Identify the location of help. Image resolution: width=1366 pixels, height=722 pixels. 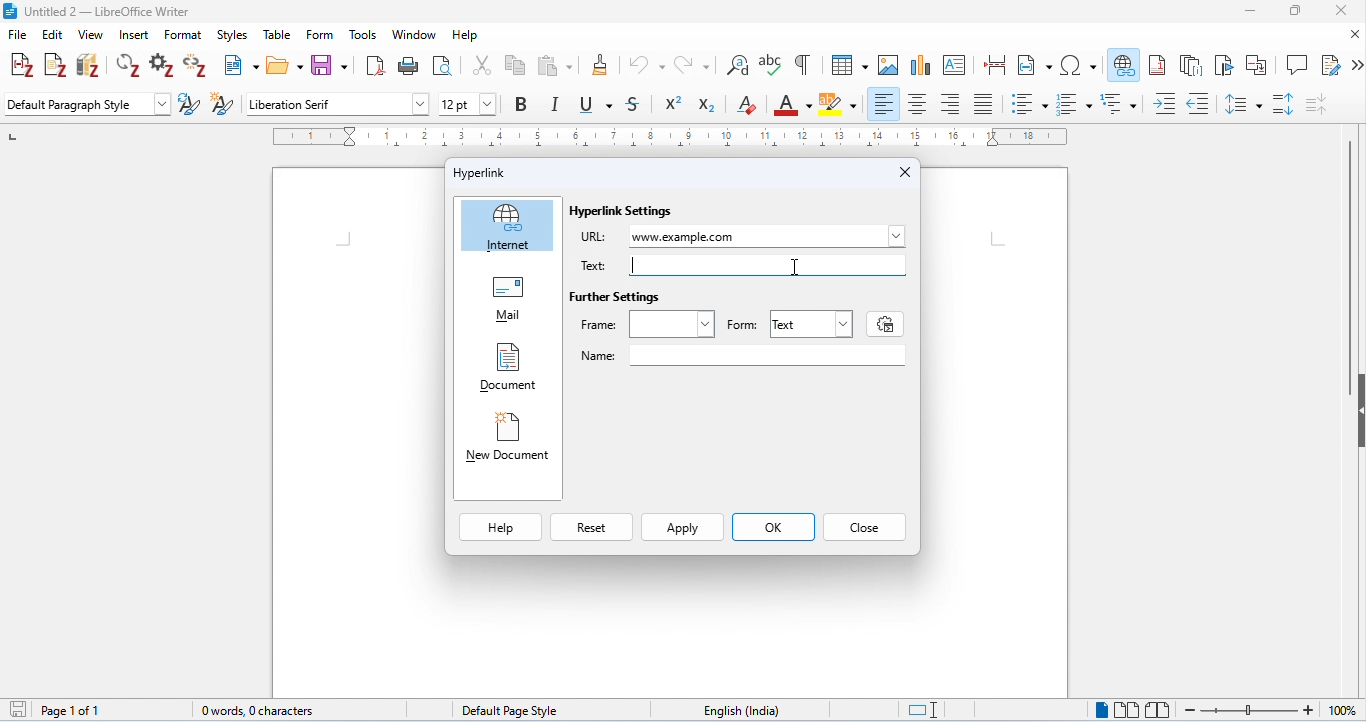
(466, 36).